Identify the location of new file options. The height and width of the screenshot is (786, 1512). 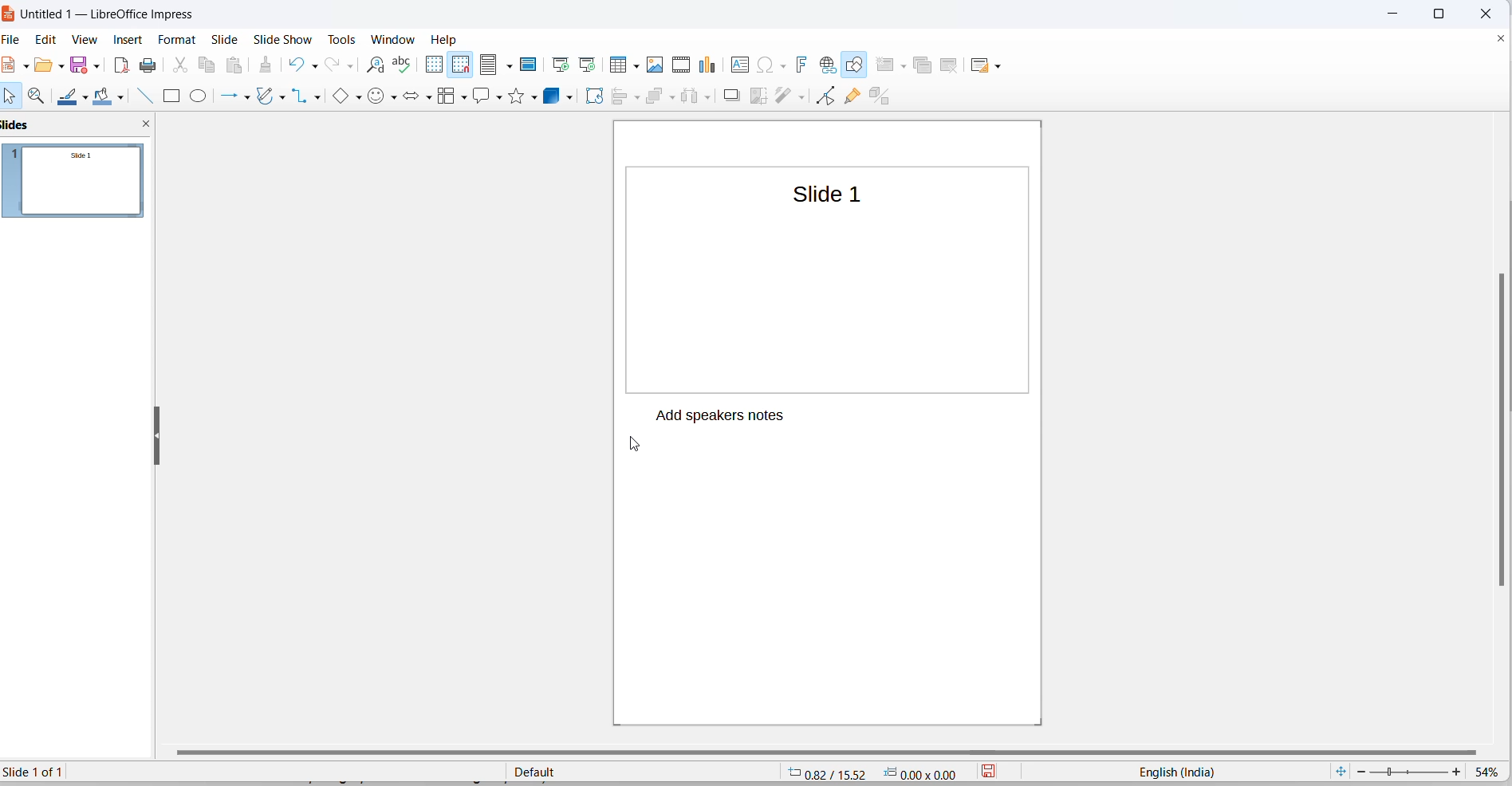
(25, 69).